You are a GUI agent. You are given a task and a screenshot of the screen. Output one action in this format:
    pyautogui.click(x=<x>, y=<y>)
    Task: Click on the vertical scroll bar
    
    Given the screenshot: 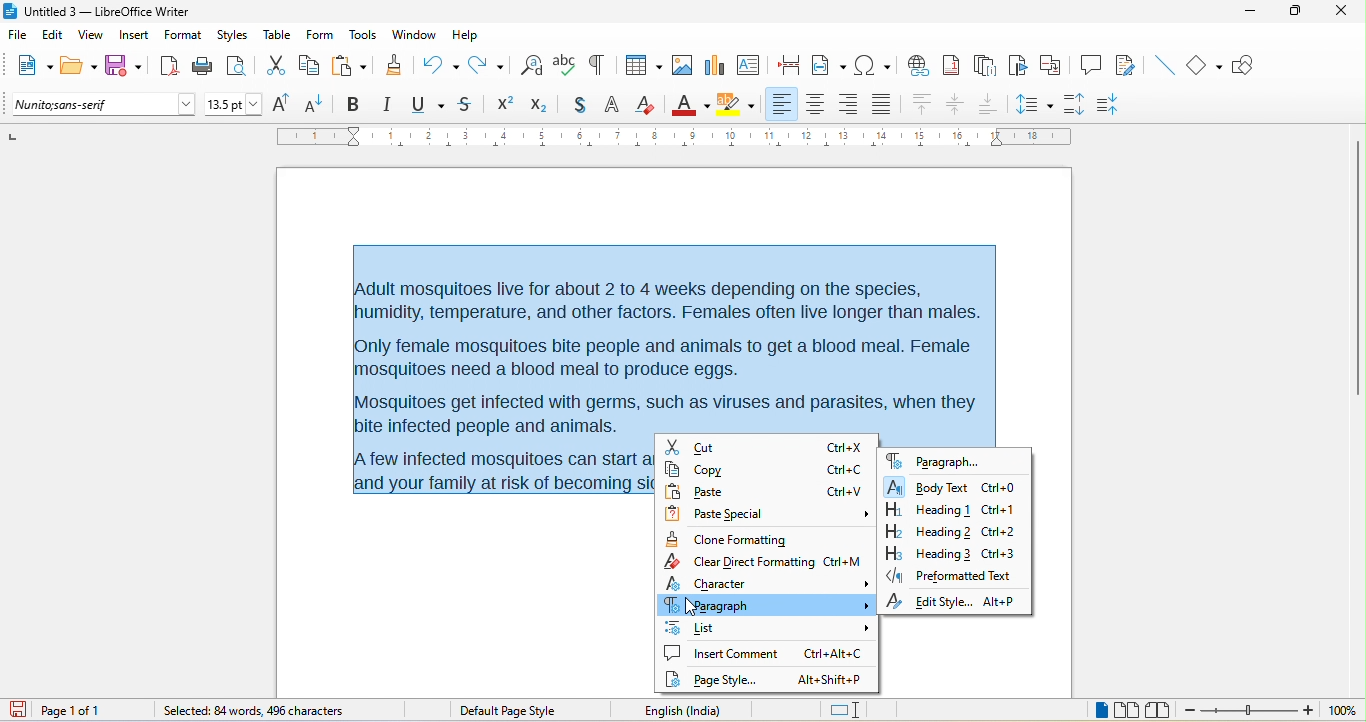 What is the action you would take?
    pyautogui.click(x=1357, y=270)
    